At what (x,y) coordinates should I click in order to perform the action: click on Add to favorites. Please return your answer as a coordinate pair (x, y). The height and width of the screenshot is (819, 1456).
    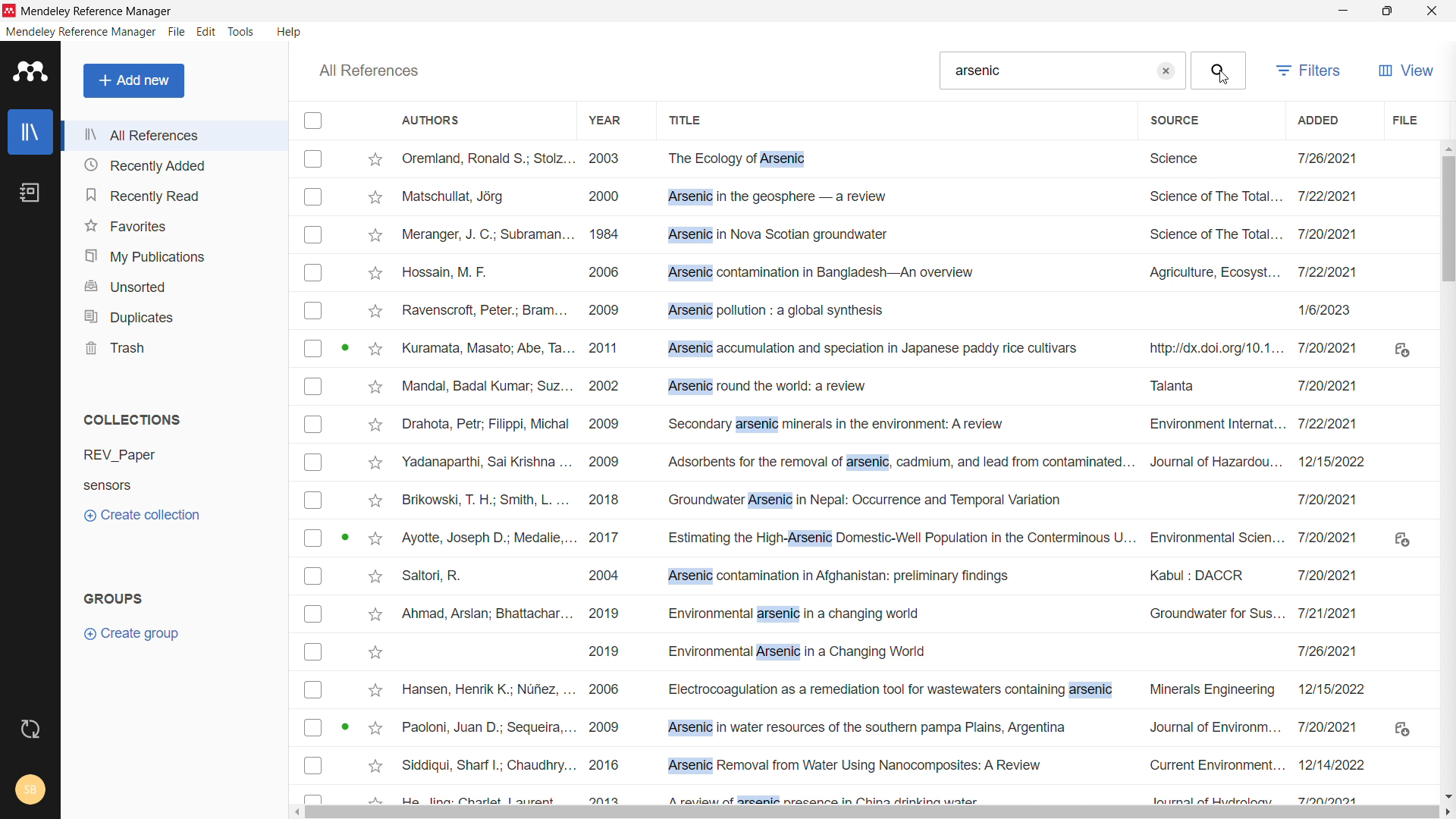
    Looking at the image, I should click on (374, 460).